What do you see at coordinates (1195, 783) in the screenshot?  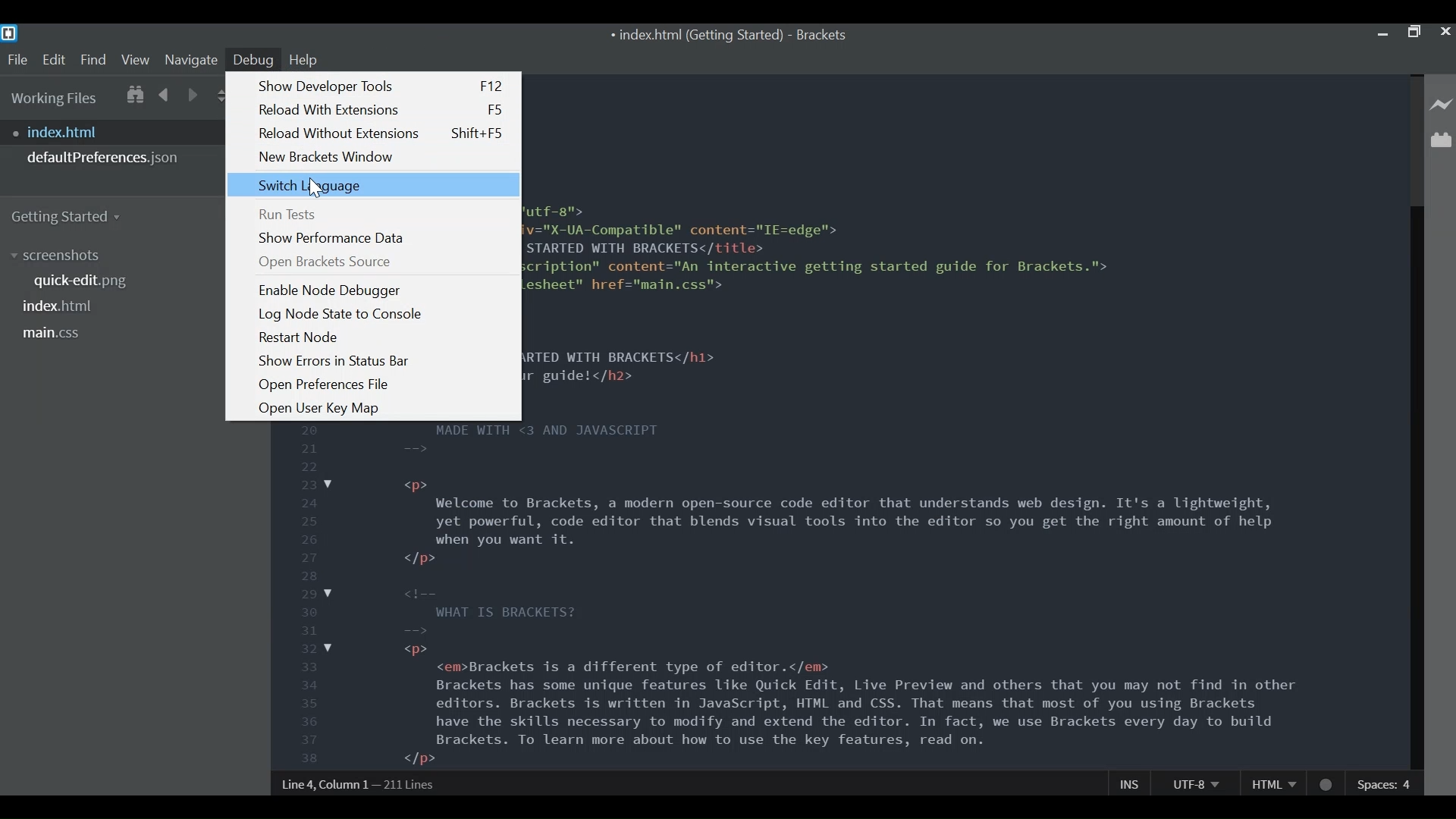 I see `UTF-8` at bounding box center [1195, 783].